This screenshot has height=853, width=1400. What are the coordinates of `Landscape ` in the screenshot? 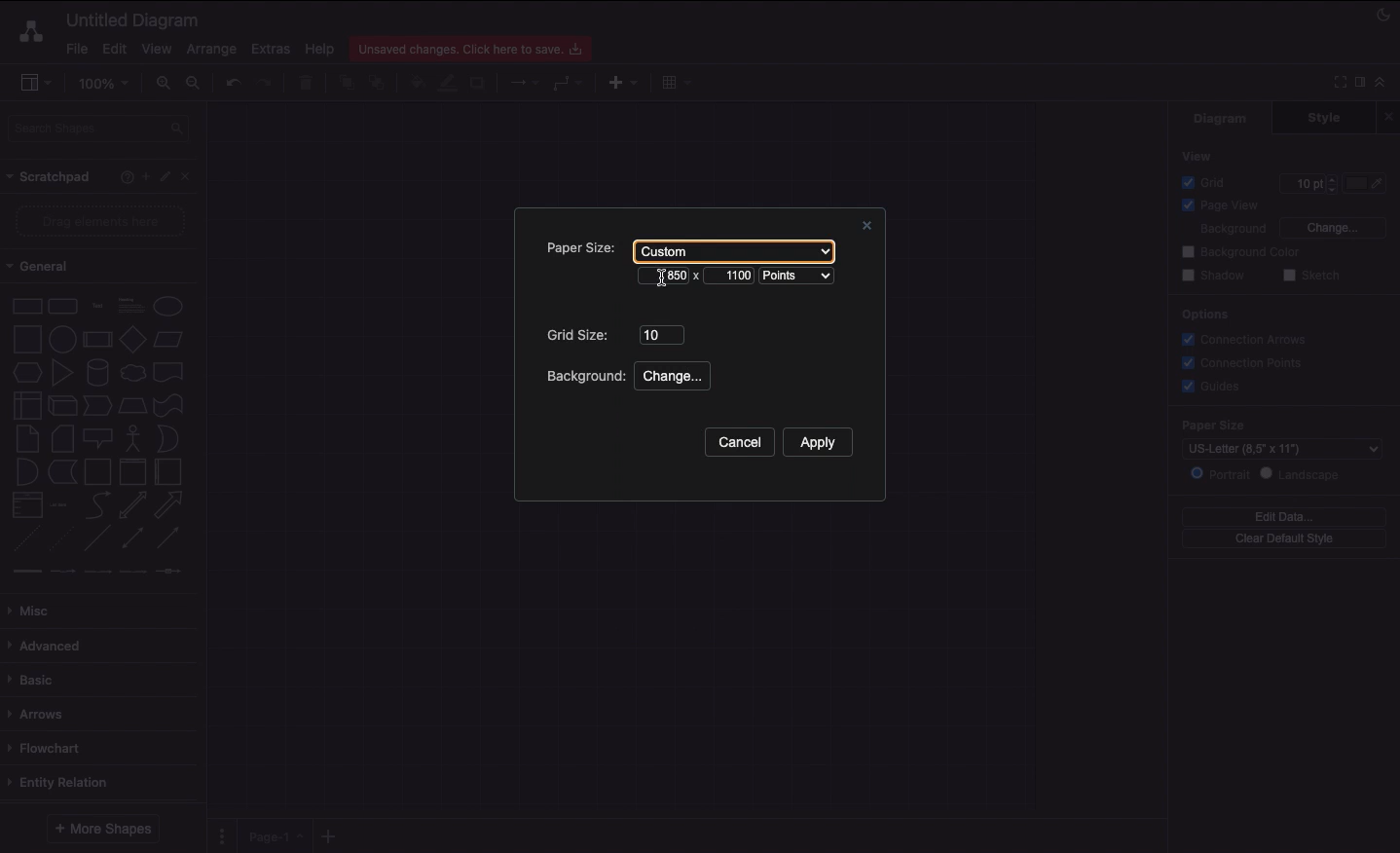 It's located at (1304, 474).